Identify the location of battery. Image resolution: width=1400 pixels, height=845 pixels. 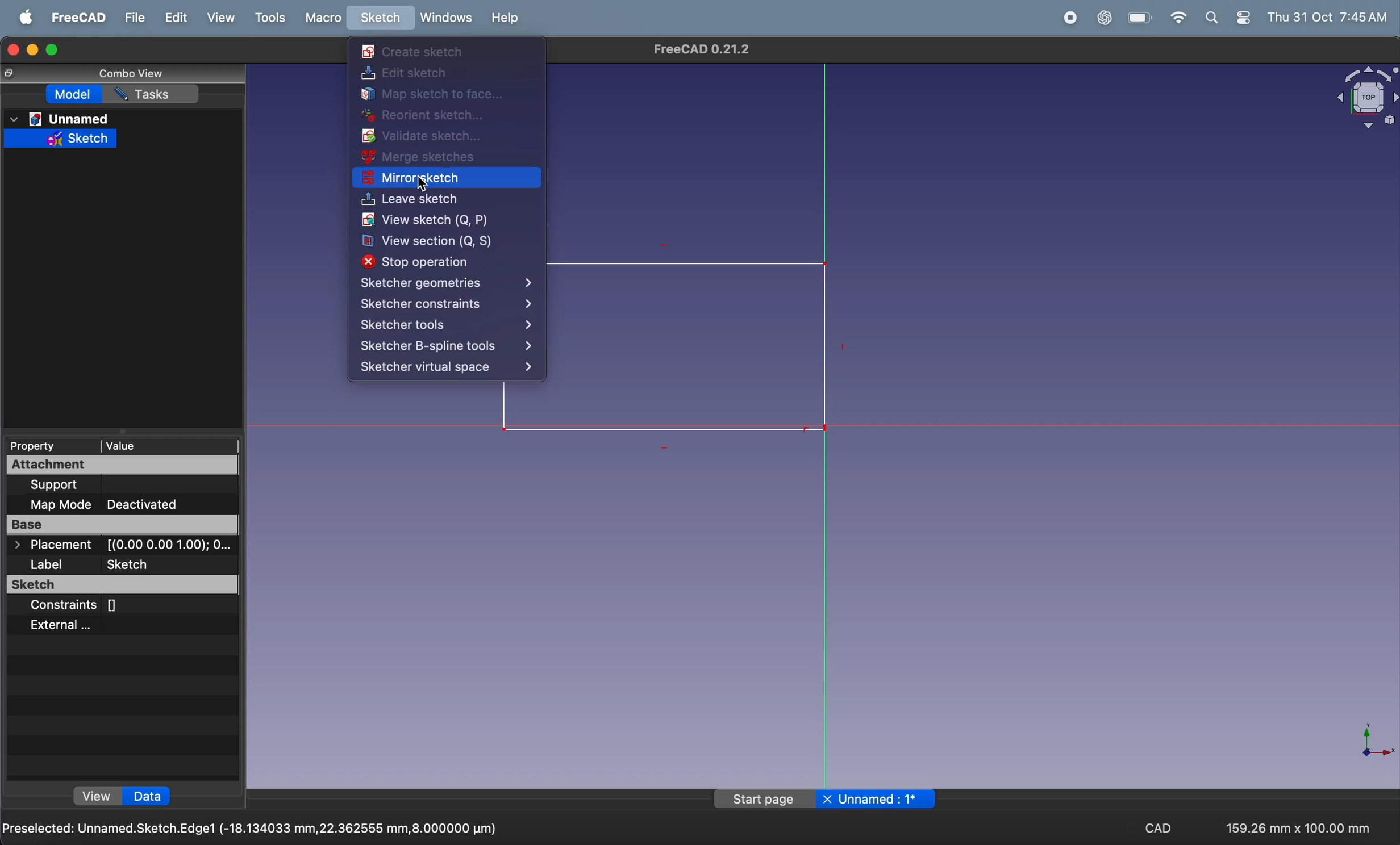
(1139, 18).